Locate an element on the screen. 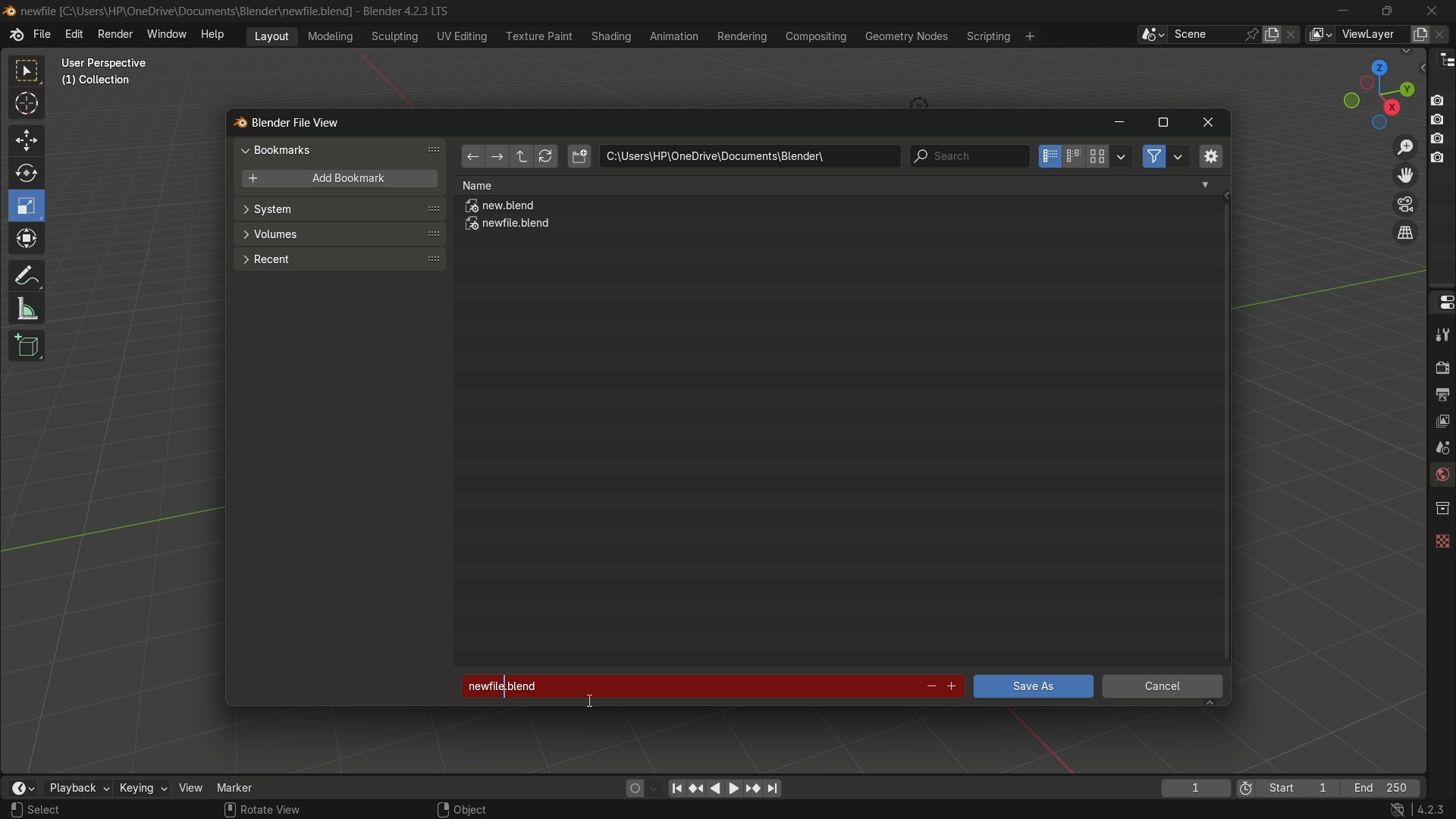 The image size is (1456, 819). render is located at coordinates (1439, 366).